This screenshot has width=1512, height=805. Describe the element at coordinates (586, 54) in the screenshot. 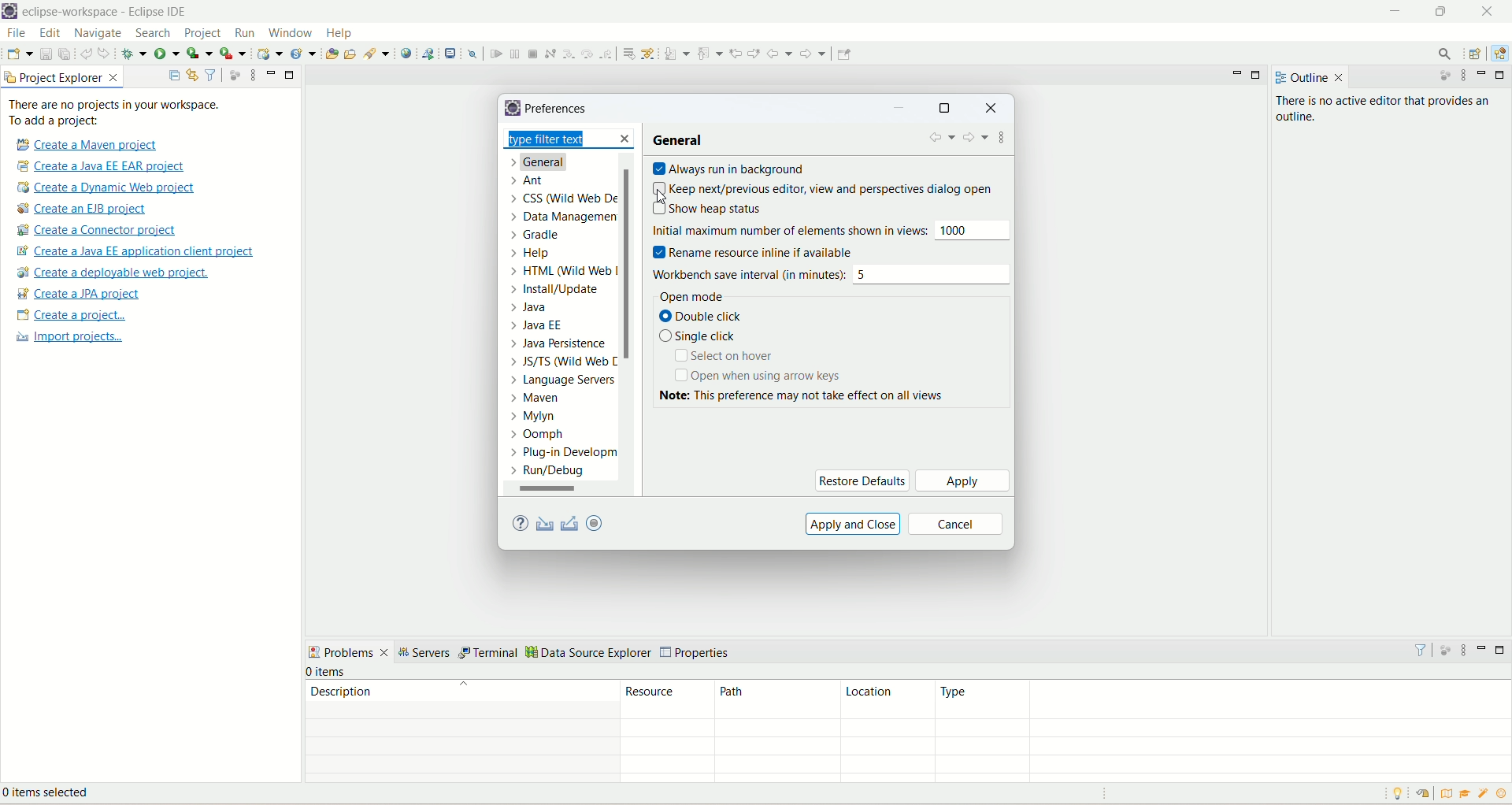

I see `step over` at that location.